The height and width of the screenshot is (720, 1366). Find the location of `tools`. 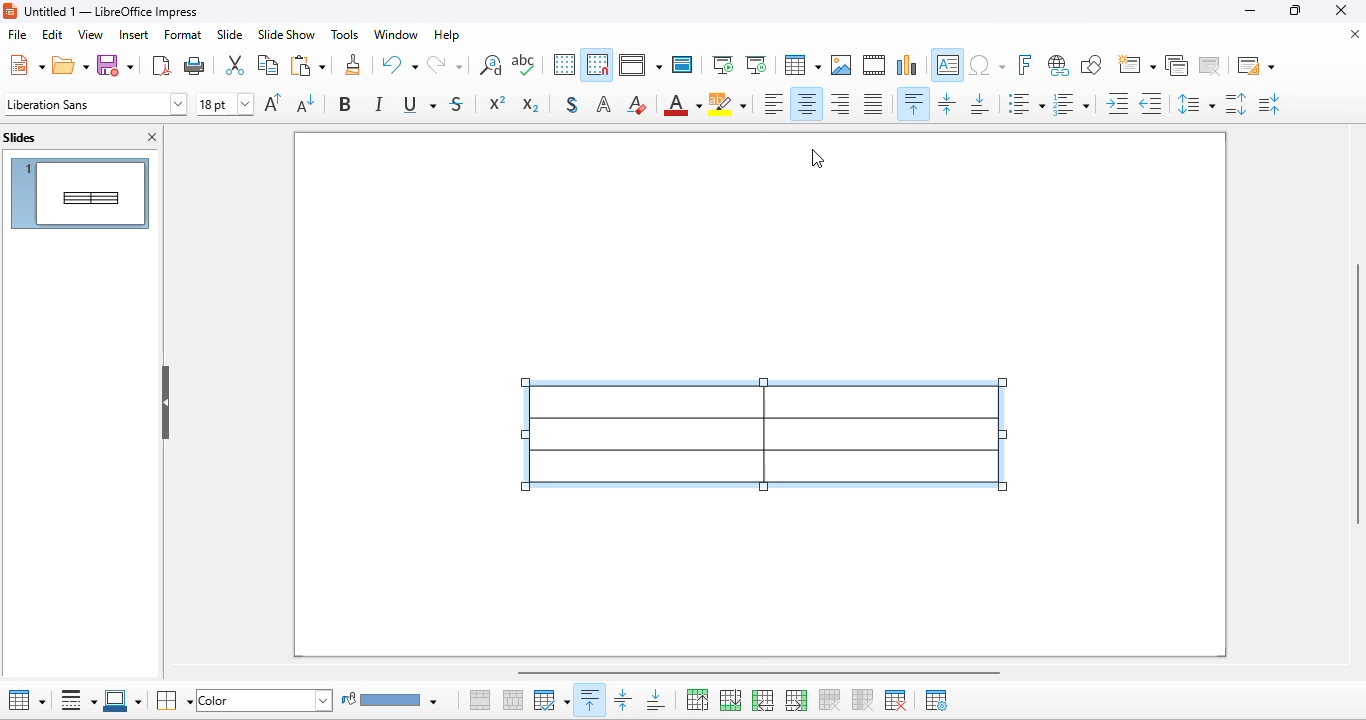

tools is located at coordinates (344, 34).